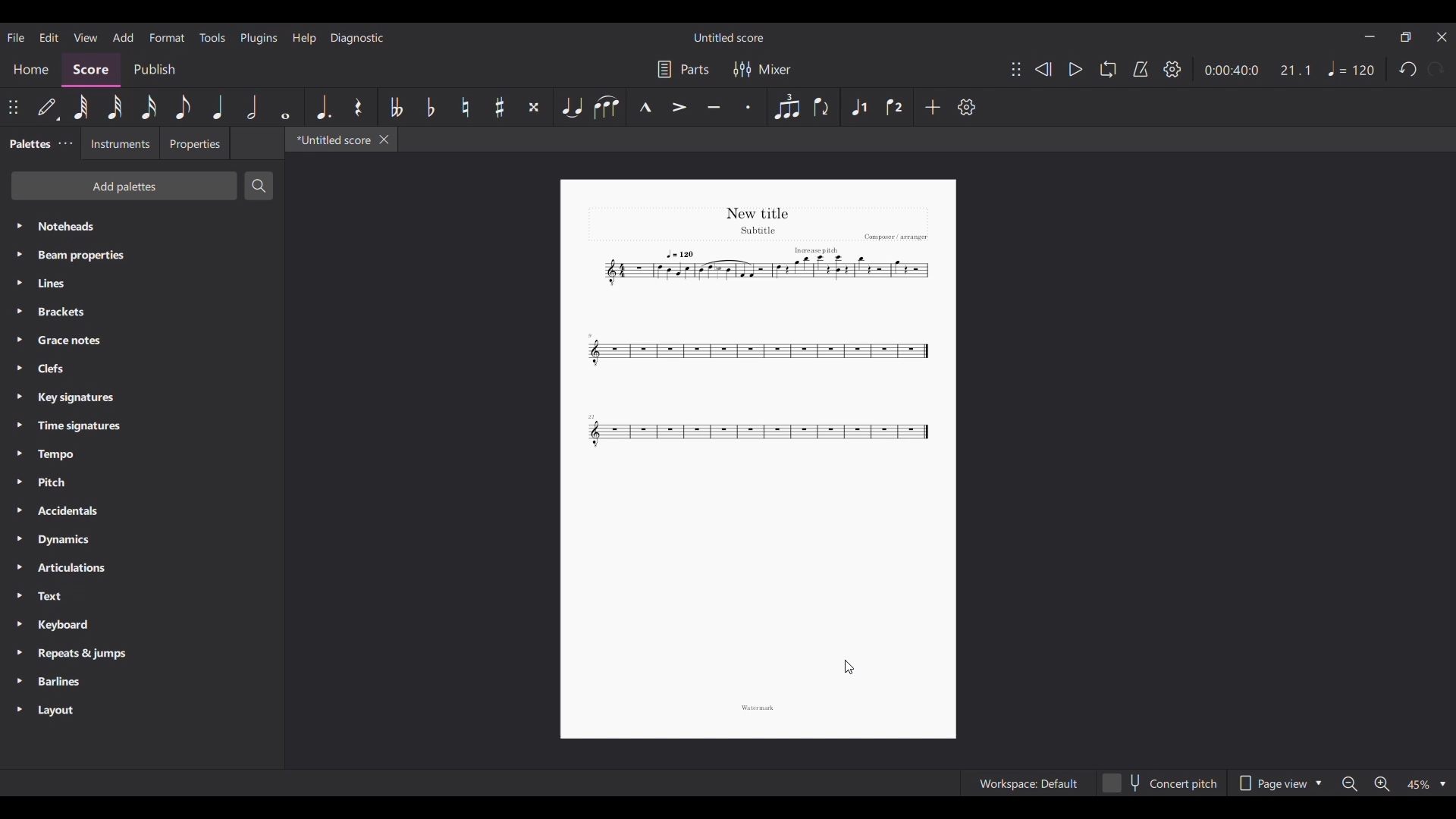 The width and height of the screenshot is (1456, 819). Describe the element at coordinates (115, 107) in the screenshot. I see `32nd menu` at that location.